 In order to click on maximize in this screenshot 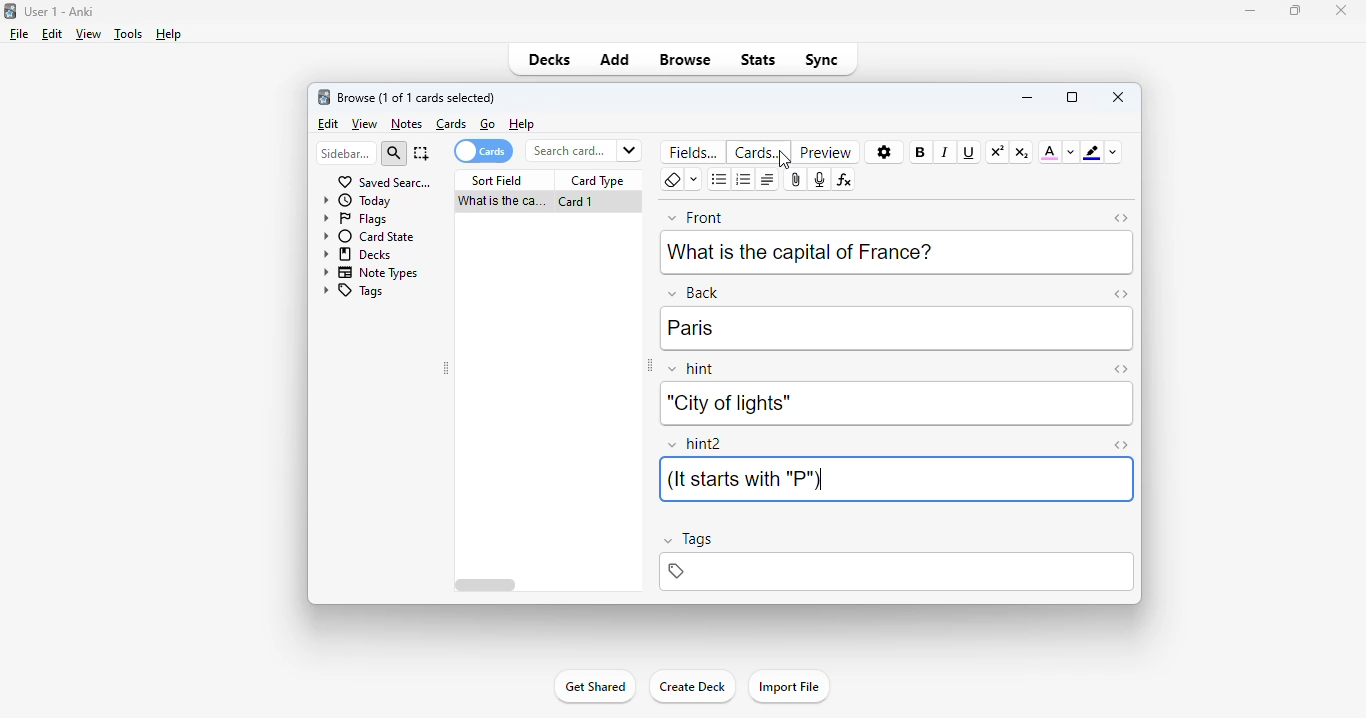, I will do `click(1295, 9)`.